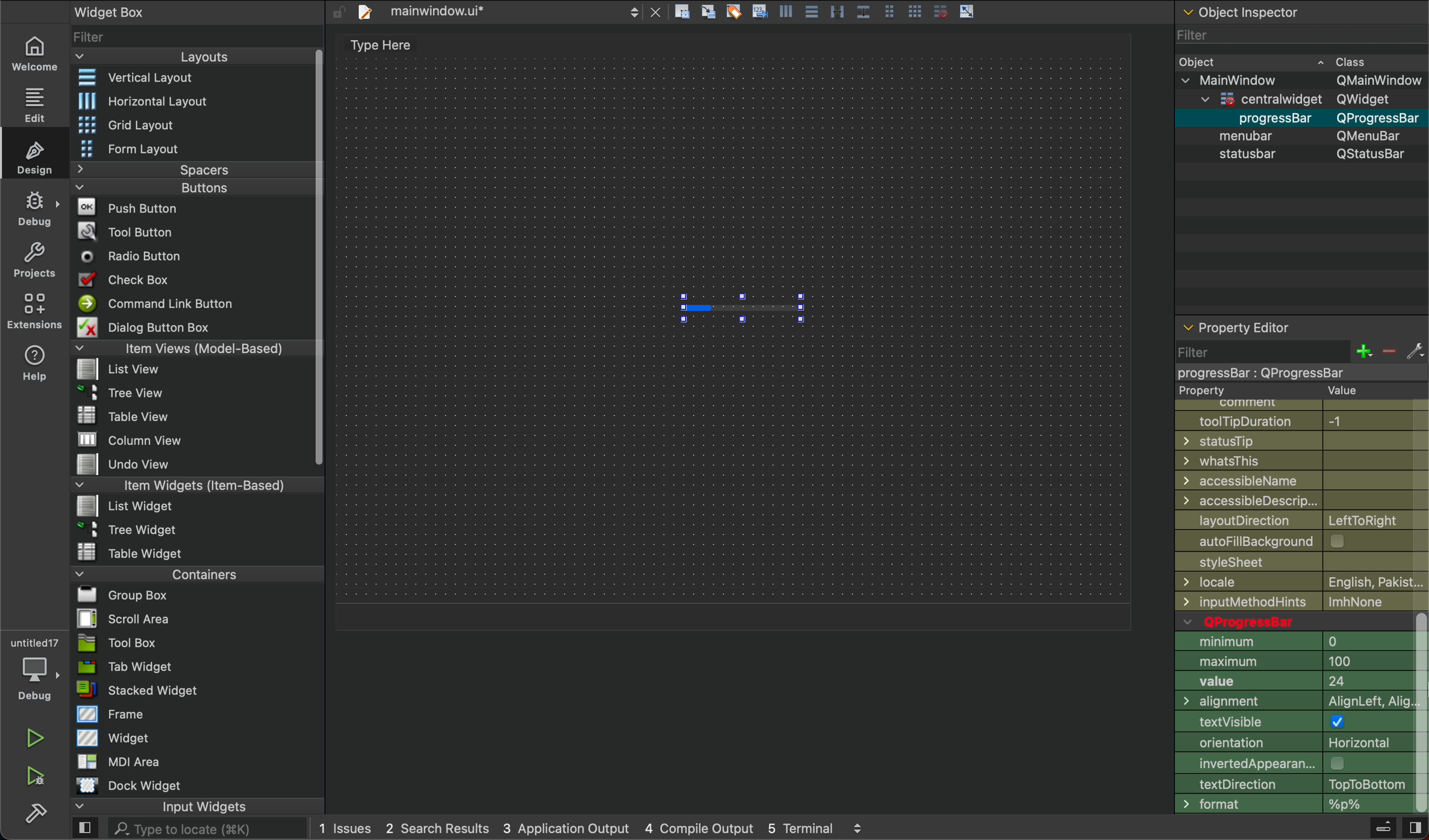 This screenshot has width=1429, height=840. What do you see at coordinates (1420, 714) in the screenshot?
I see `vertical scrollbar` at bounding box center [1420, 714].